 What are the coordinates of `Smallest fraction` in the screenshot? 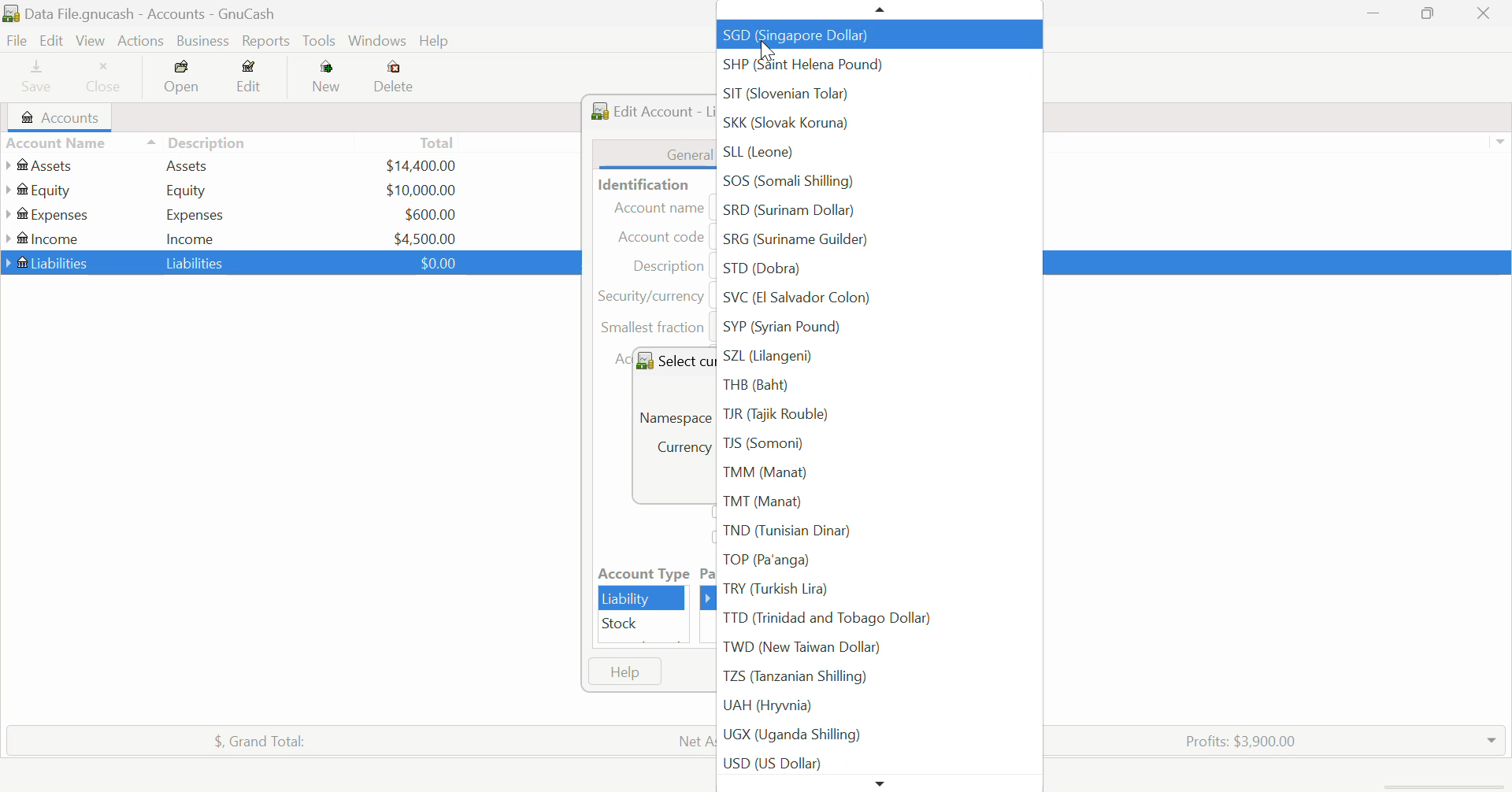 It's located at (655, 331).